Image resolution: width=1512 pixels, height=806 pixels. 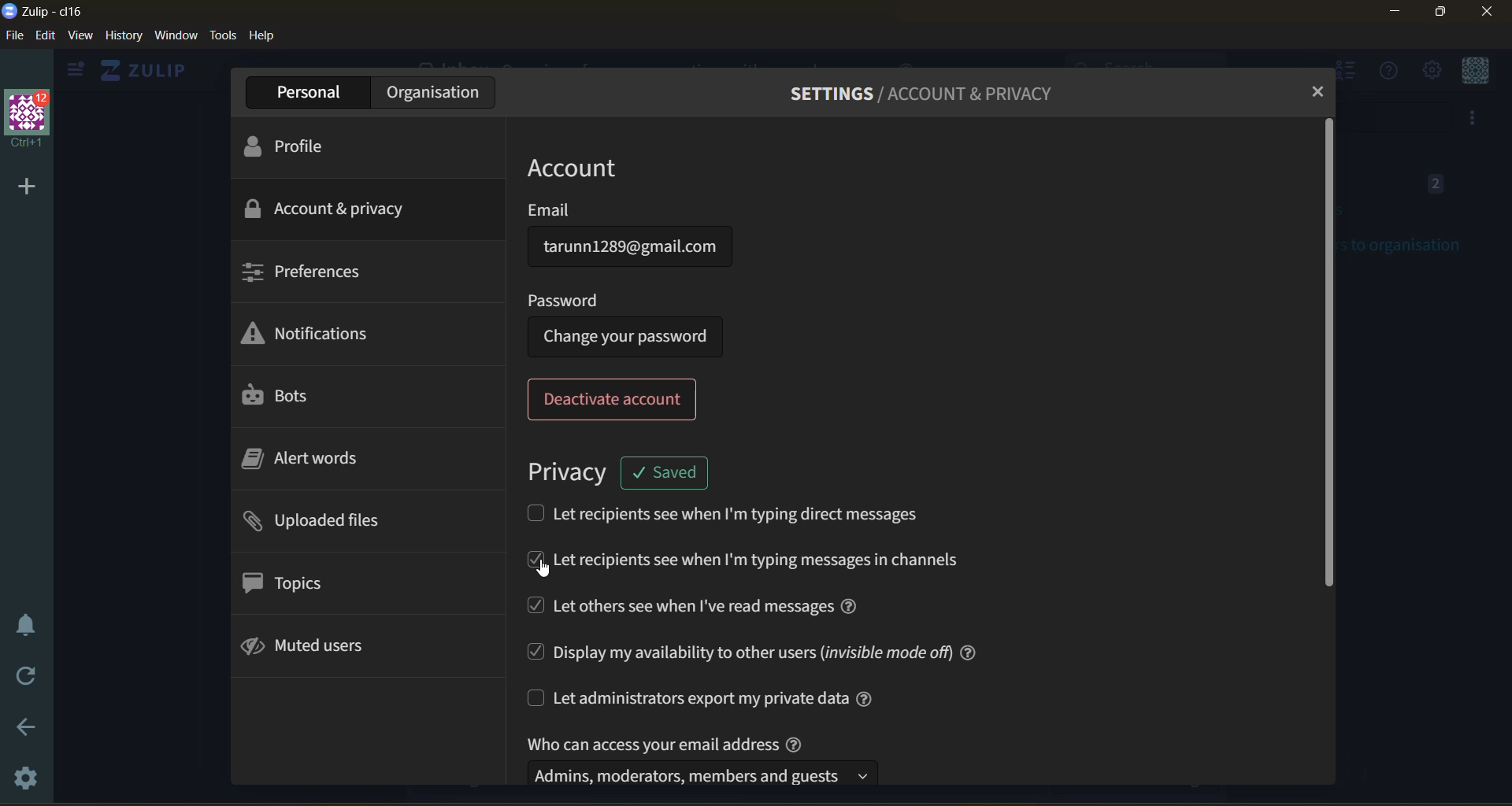 I want to click on bots, so click(x=283, y=397).